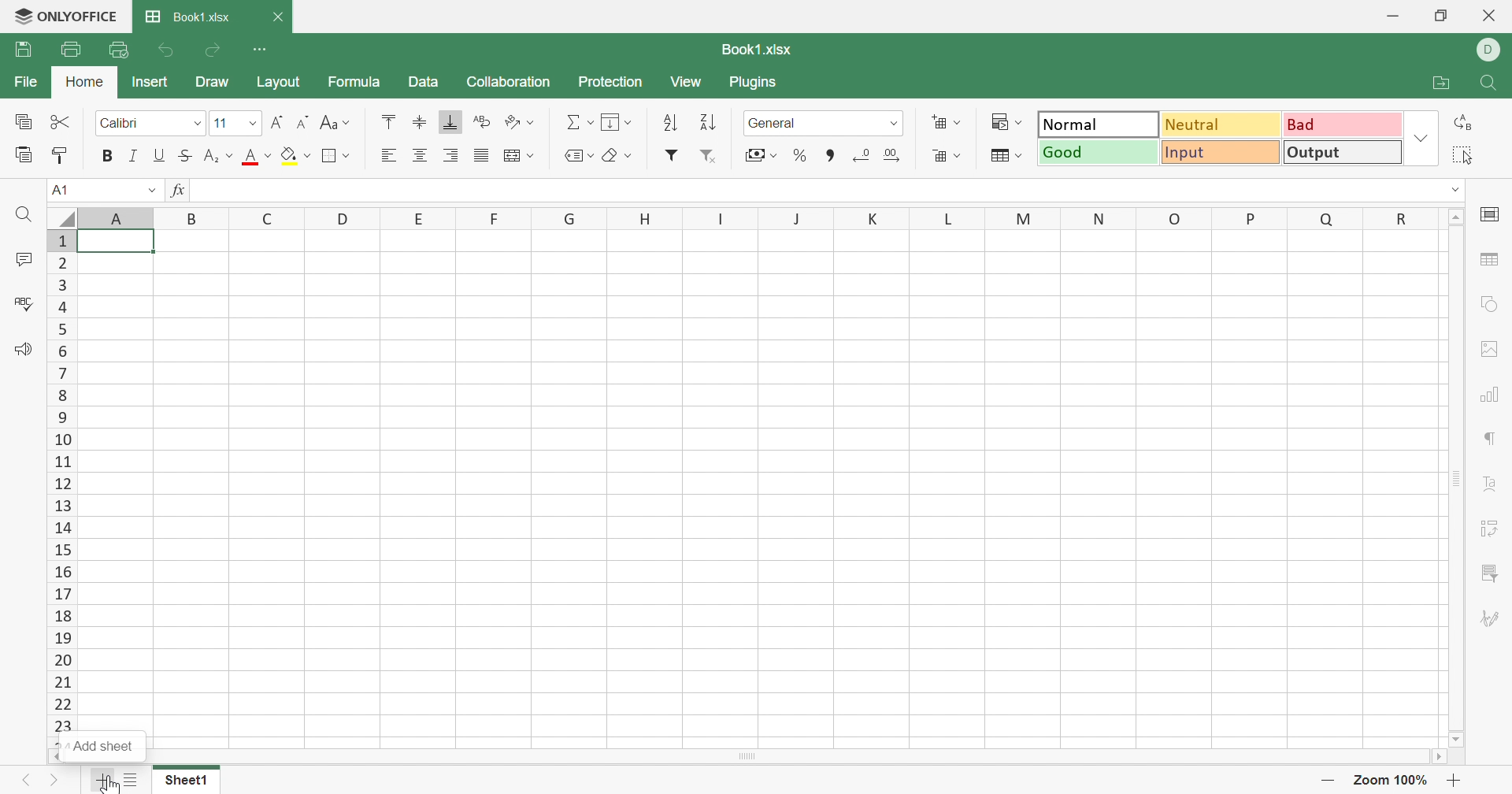 The image size is (1512, 794). Describe the element at coordinates (569, 217) in the screenshot. I see `G` at that location.